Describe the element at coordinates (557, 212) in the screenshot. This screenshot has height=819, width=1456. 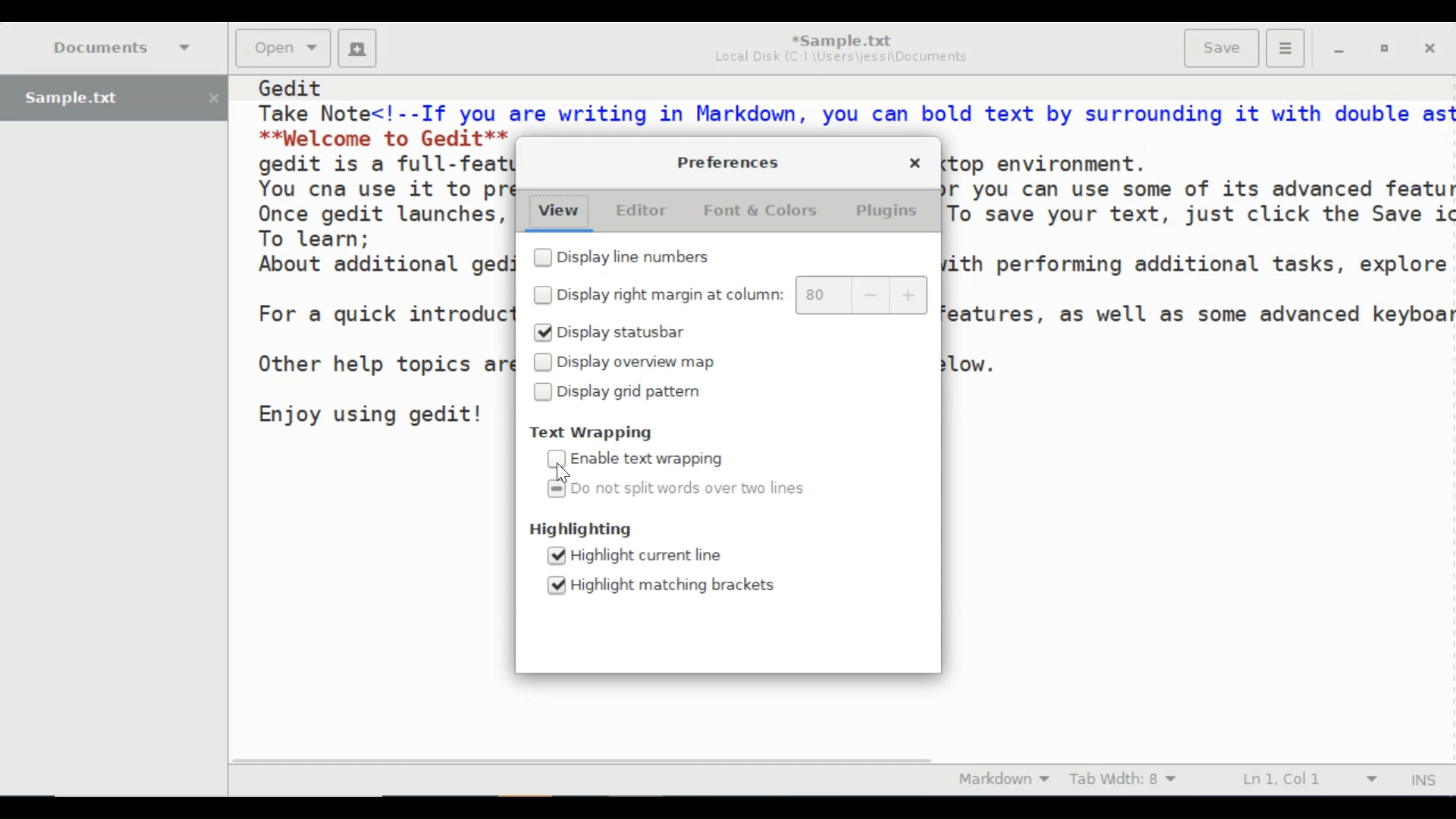
I see `View` at that location.